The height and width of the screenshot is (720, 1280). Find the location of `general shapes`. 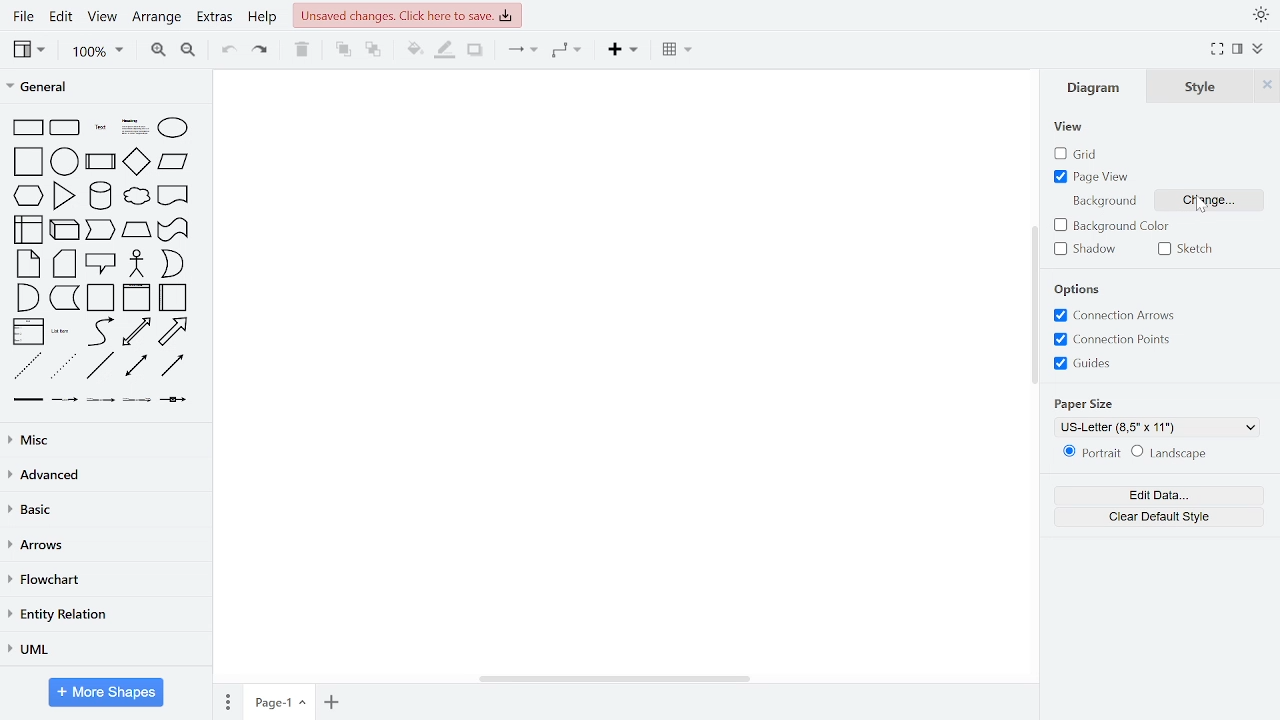

general shapes is located at coordinates (61, 125).